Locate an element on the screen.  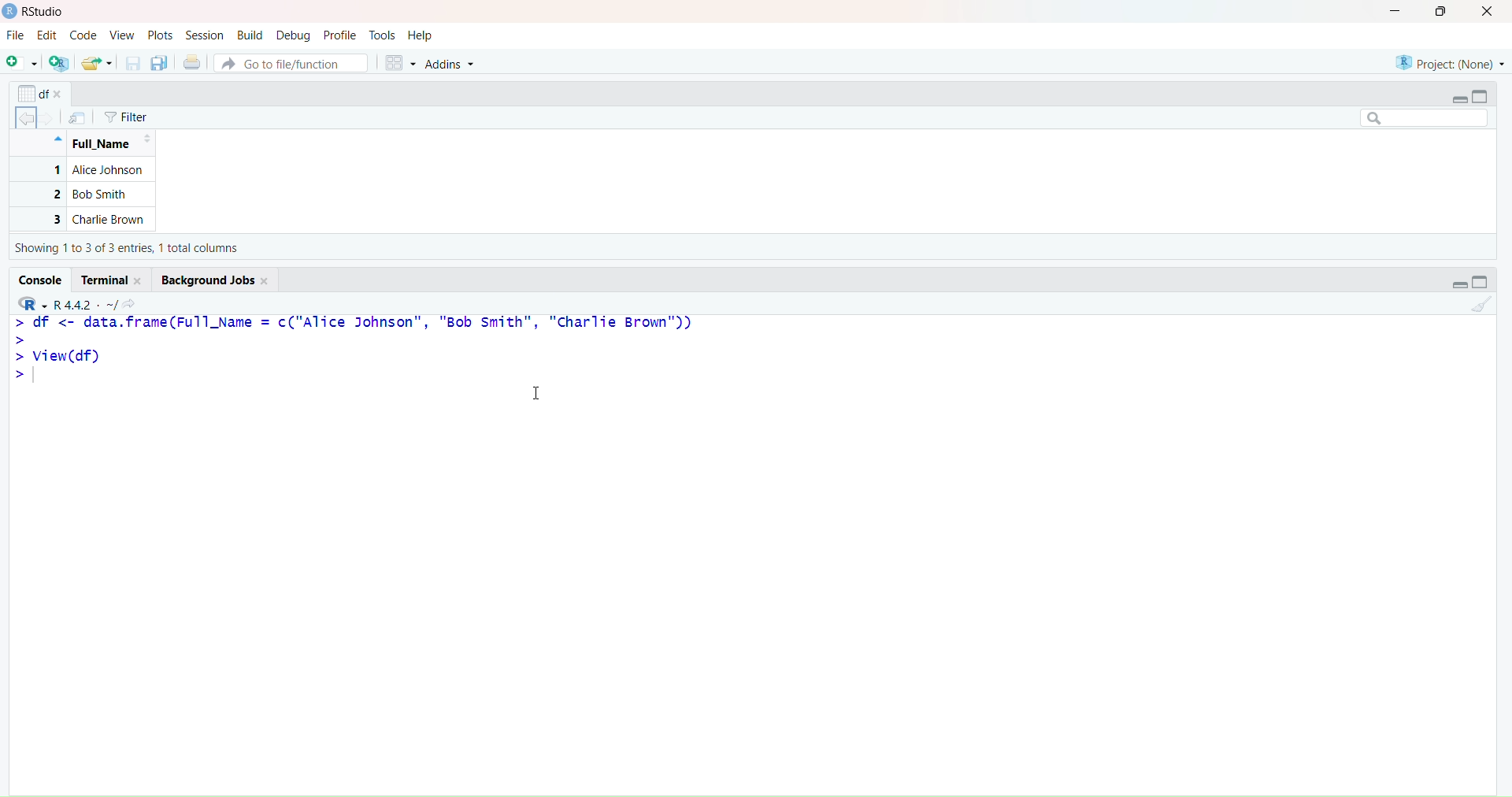
Hide is located at coordinates (57, 138).